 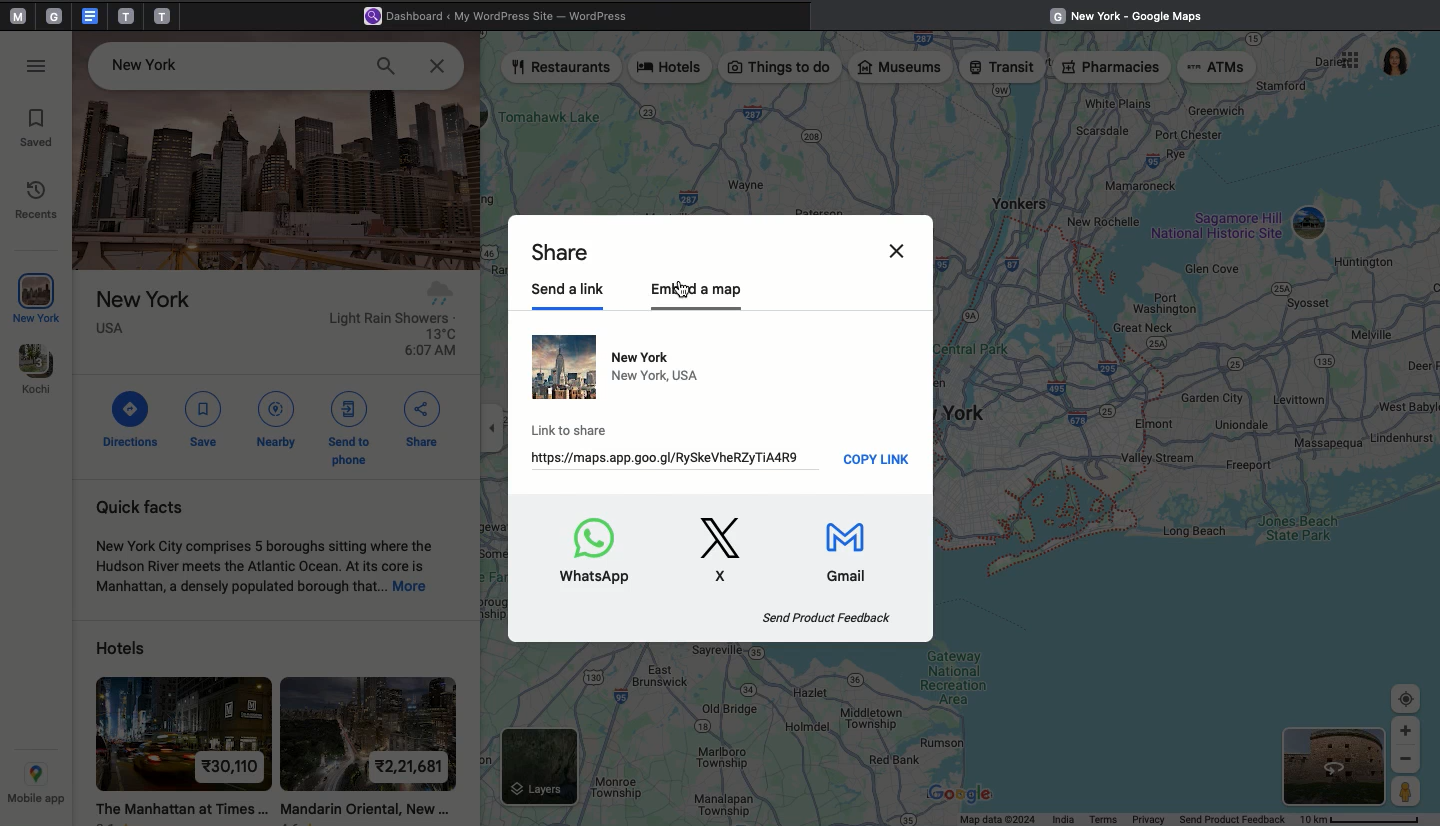 What do you see at coordinates (370, 736) in the screenshot?
I see `hotel 2` at bounding box center [370, 736].